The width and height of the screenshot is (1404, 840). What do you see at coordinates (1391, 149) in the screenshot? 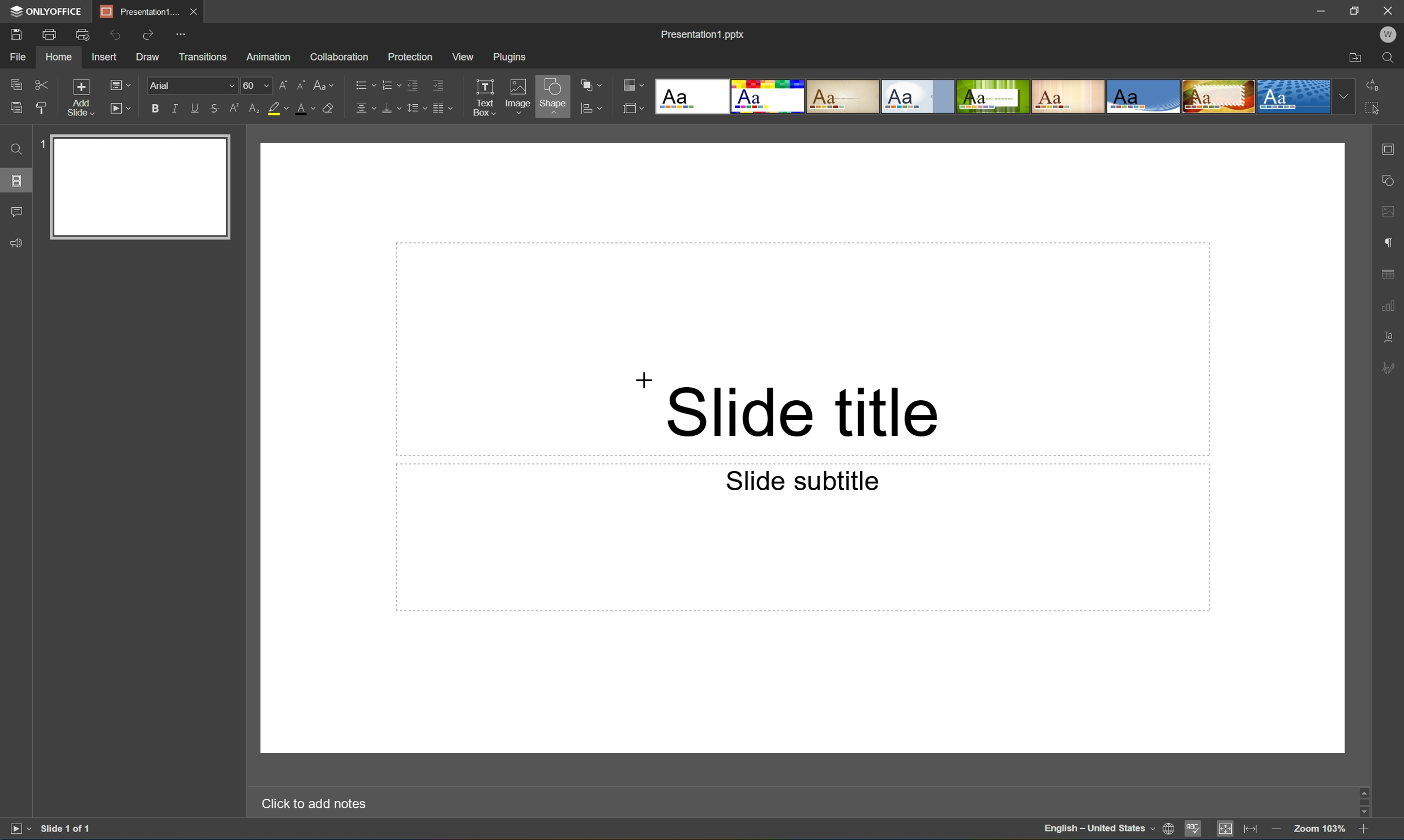
I see `slide settings` at bounding box center [1391, 149].